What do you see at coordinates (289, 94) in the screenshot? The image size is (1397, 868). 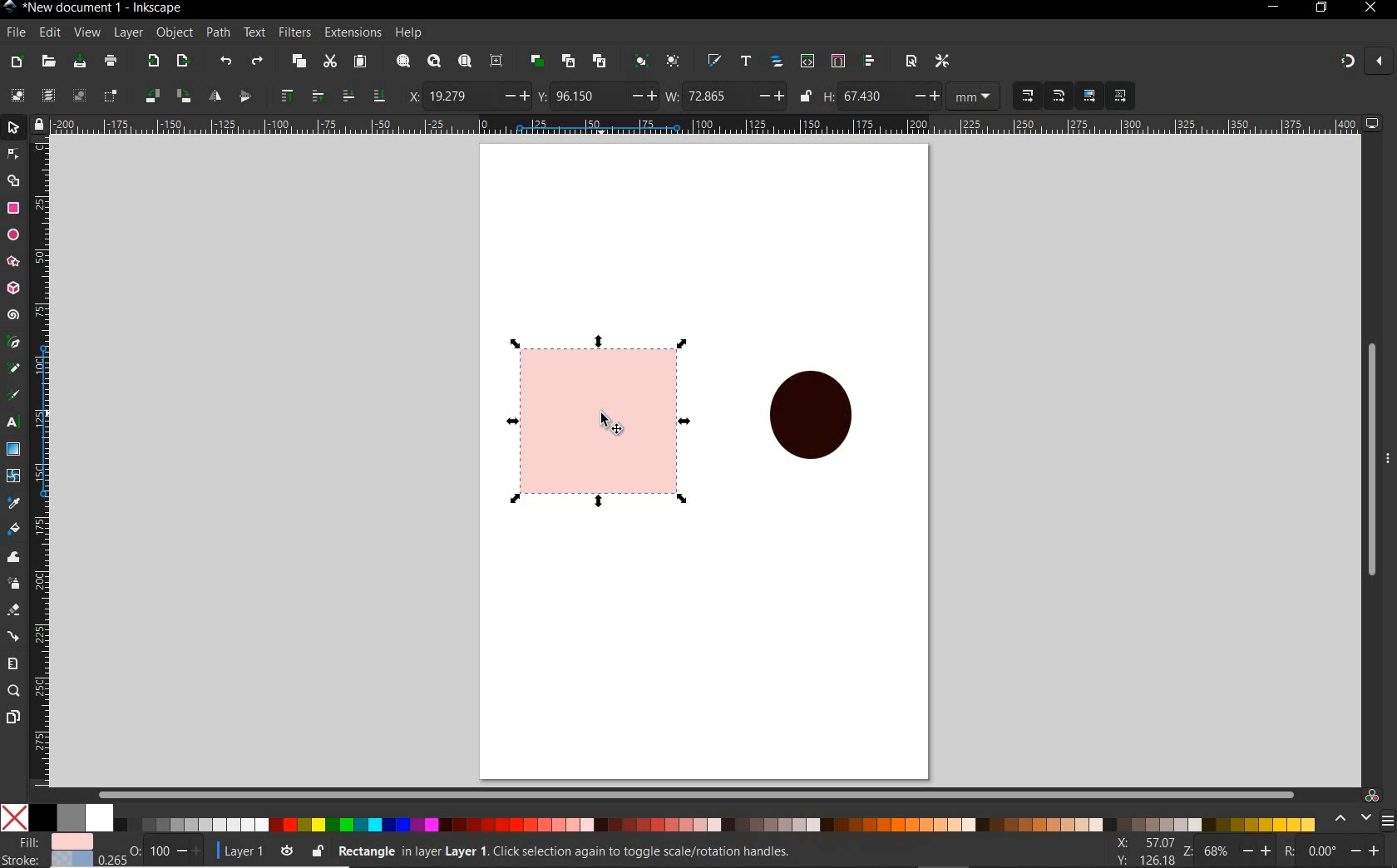 I see `raise to top` at bounding box center [289, 94].